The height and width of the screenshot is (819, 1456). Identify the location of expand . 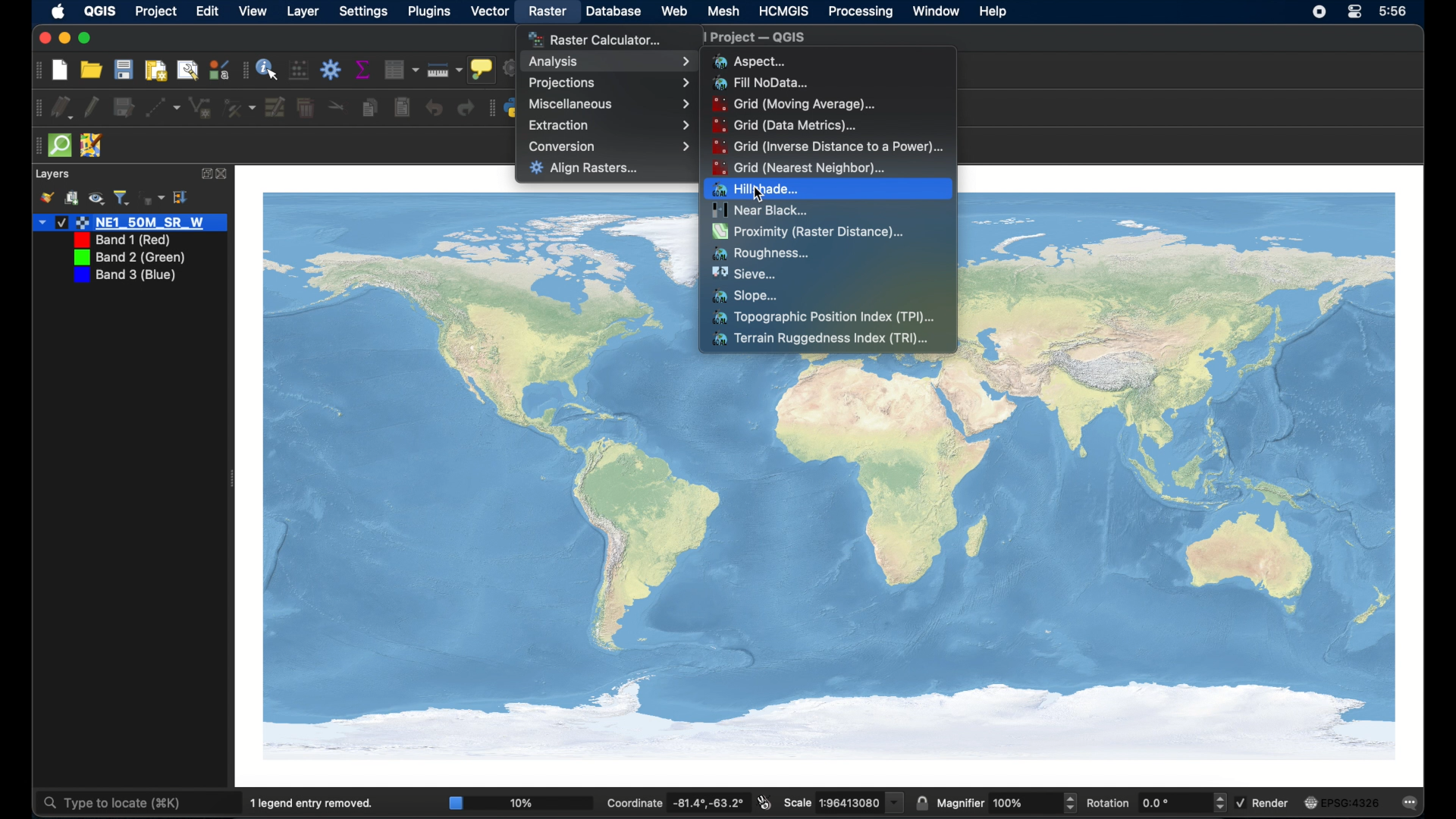
(205, 174).